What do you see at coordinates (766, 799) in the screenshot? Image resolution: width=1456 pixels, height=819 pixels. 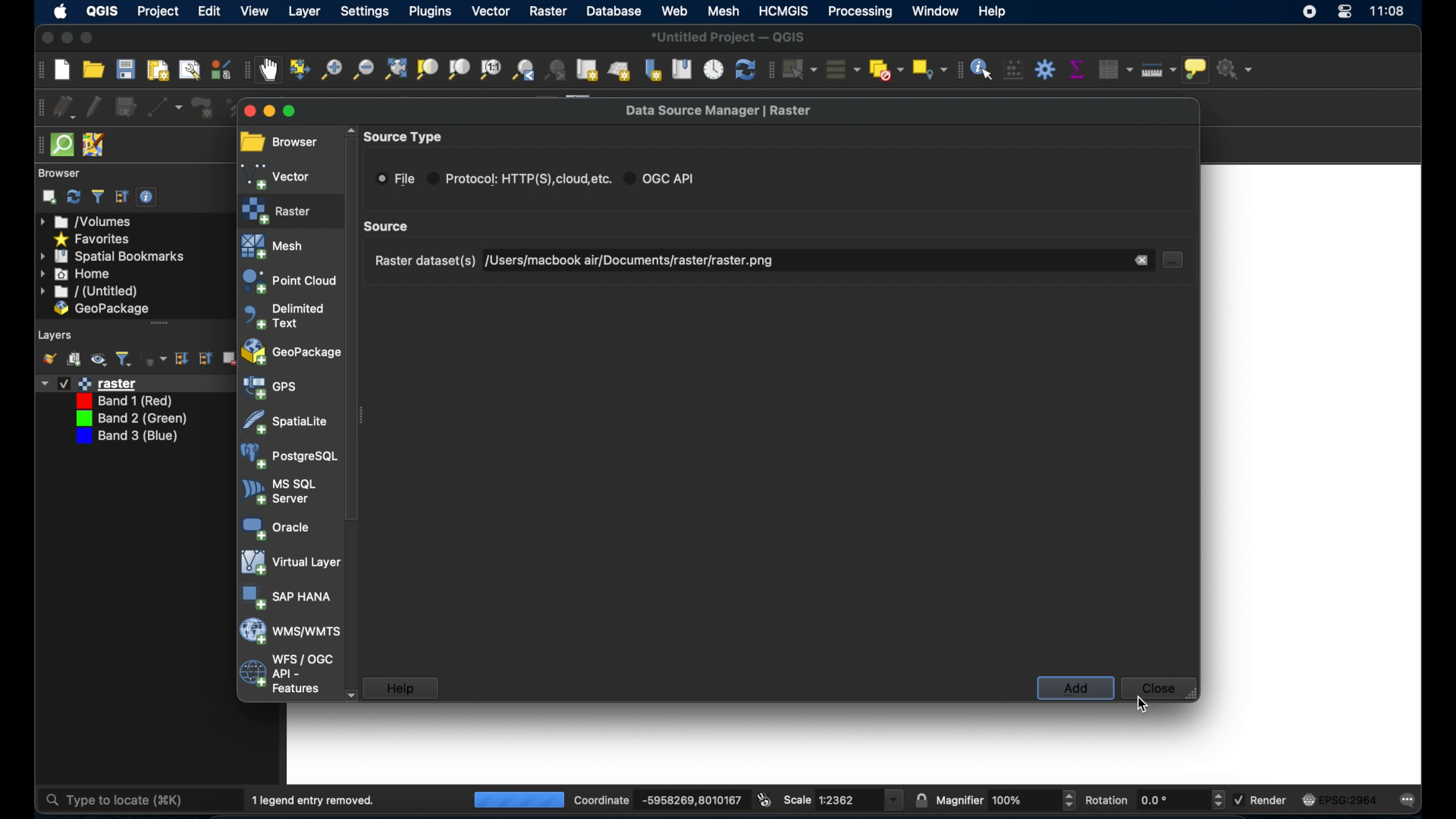 I see `toggle extents and mouse position display` at bounding box center [766, 799].